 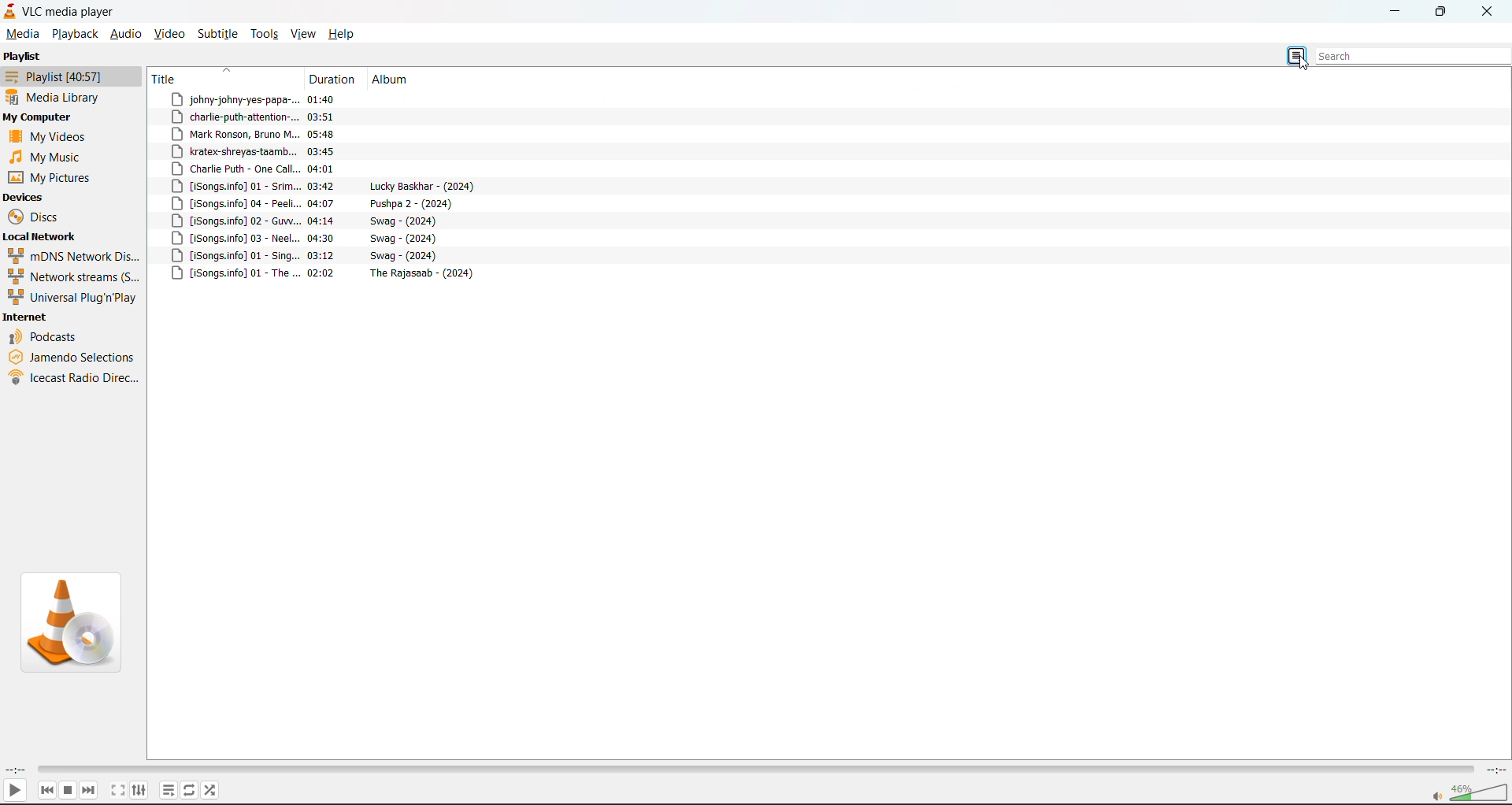 What do you see at coordinates (211, 789) in the screenshot?
I see `random` at bounding box center [211, 789].